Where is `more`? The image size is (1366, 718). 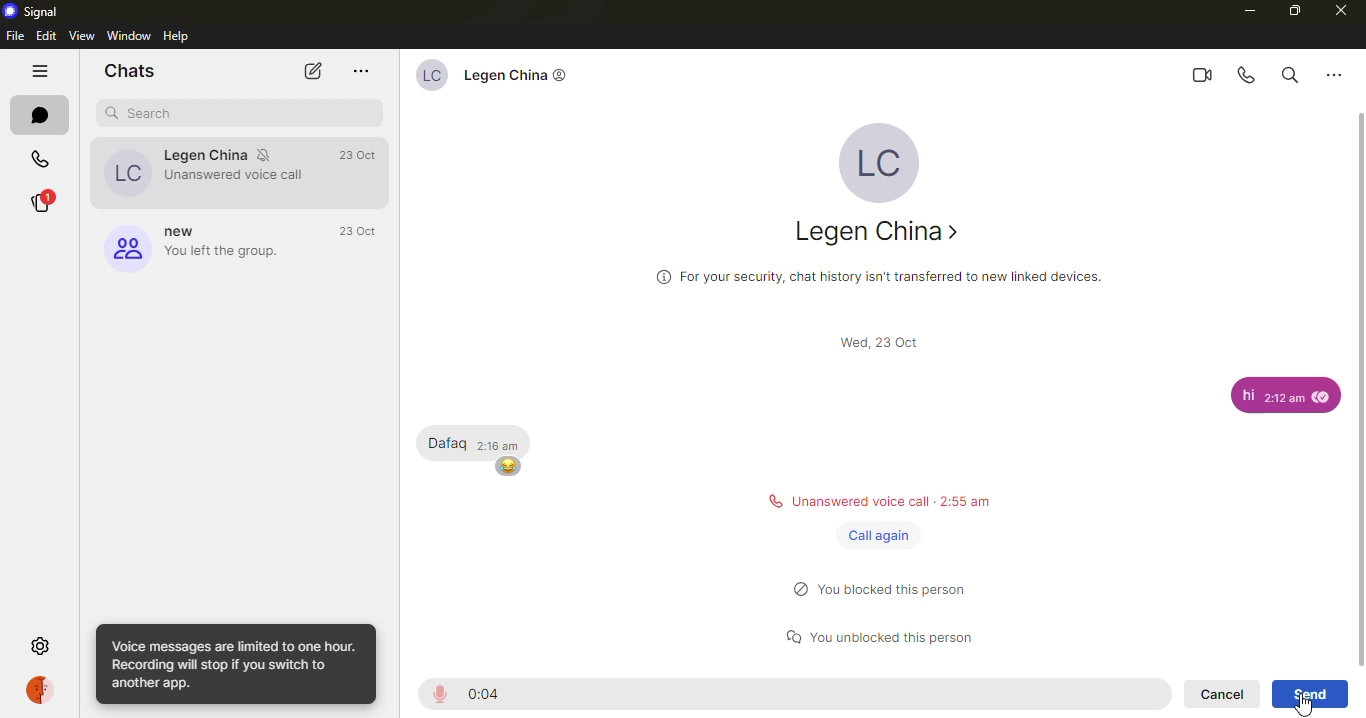 more is located at coordinates (1335, 71).